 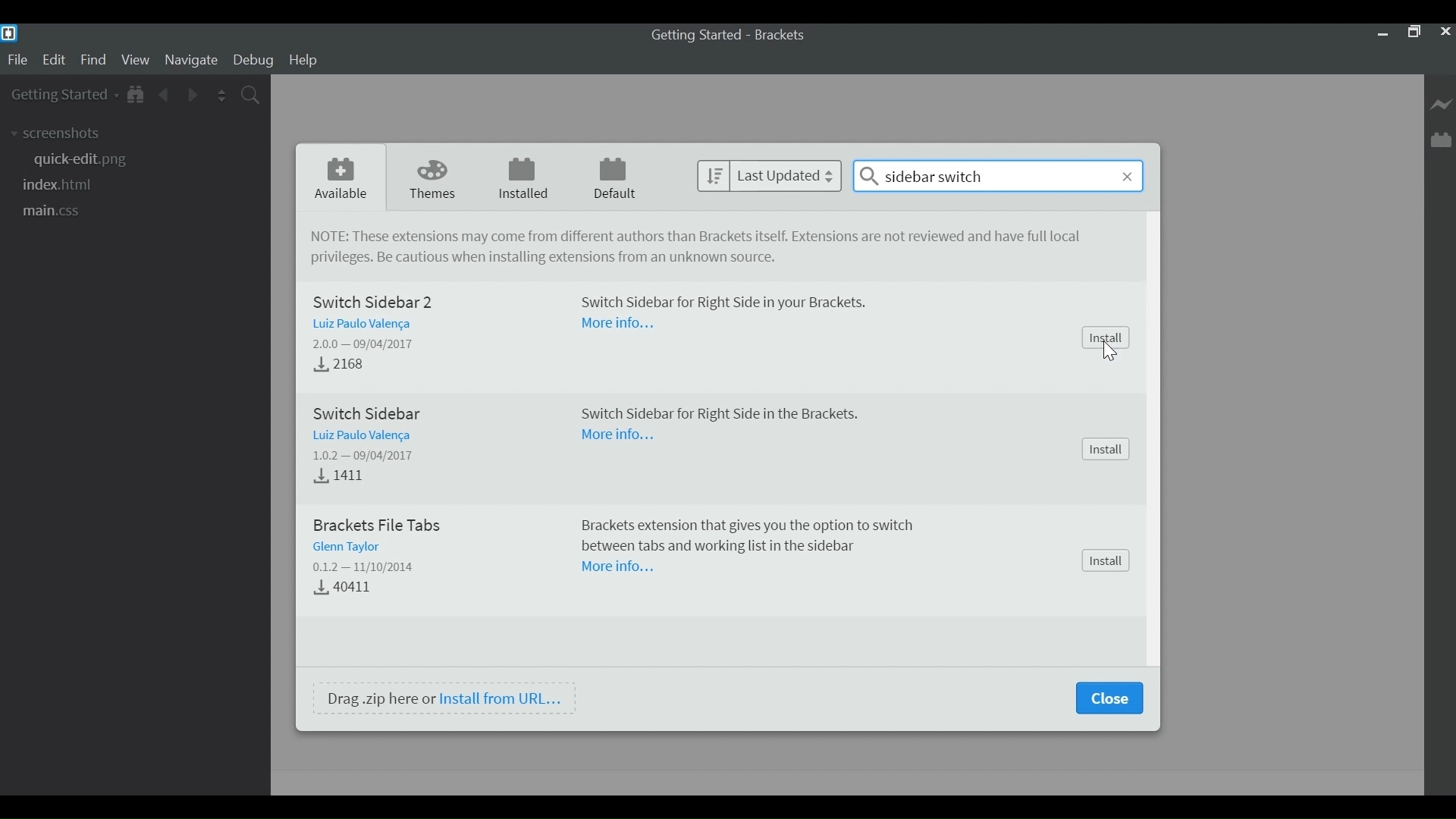 I want to click on Brackets Desktop icon, so click(x=9, y=33).